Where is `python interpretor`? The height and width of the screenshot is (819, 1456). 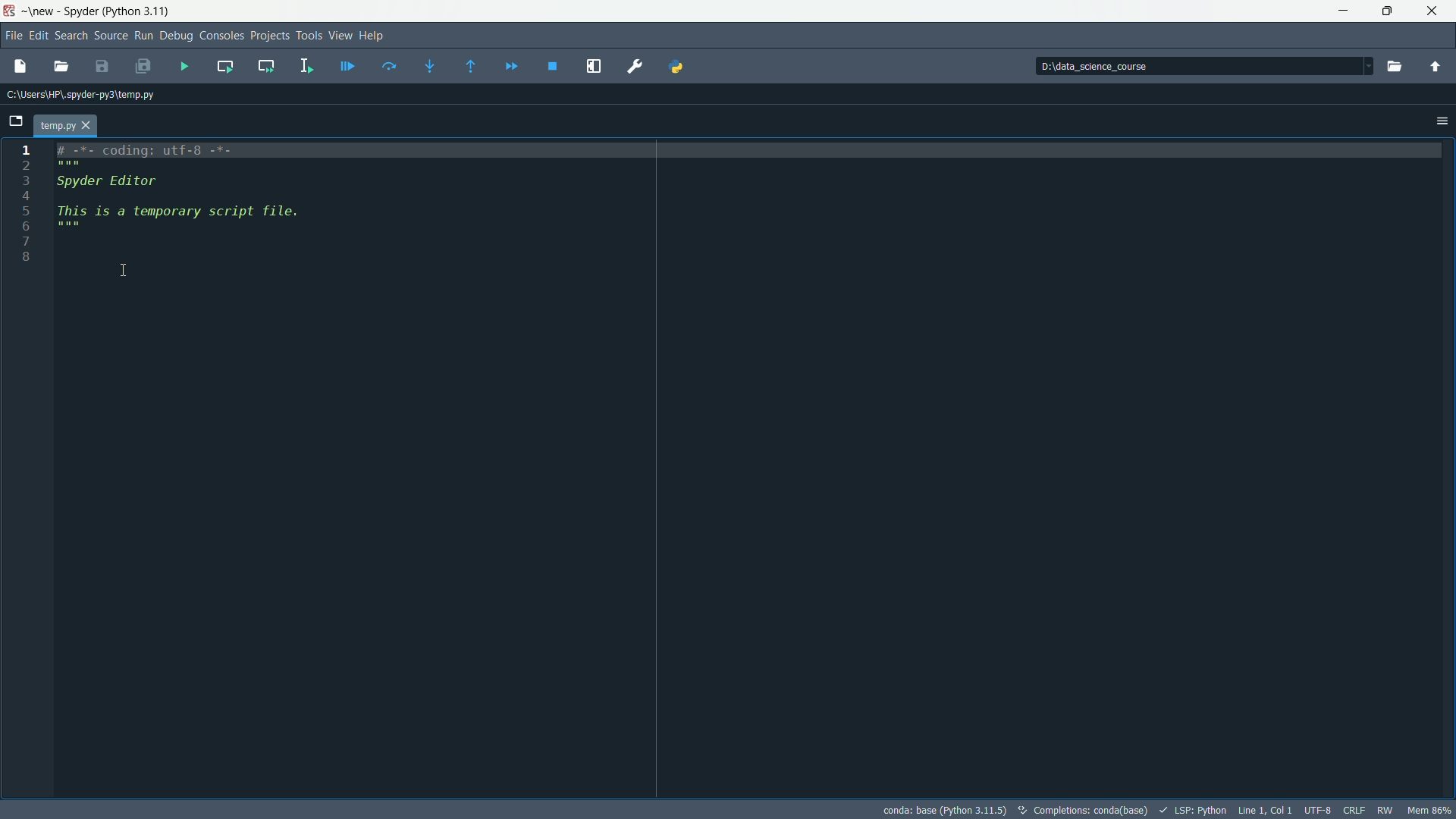 python interpretor is located at coordinates (942, 809).